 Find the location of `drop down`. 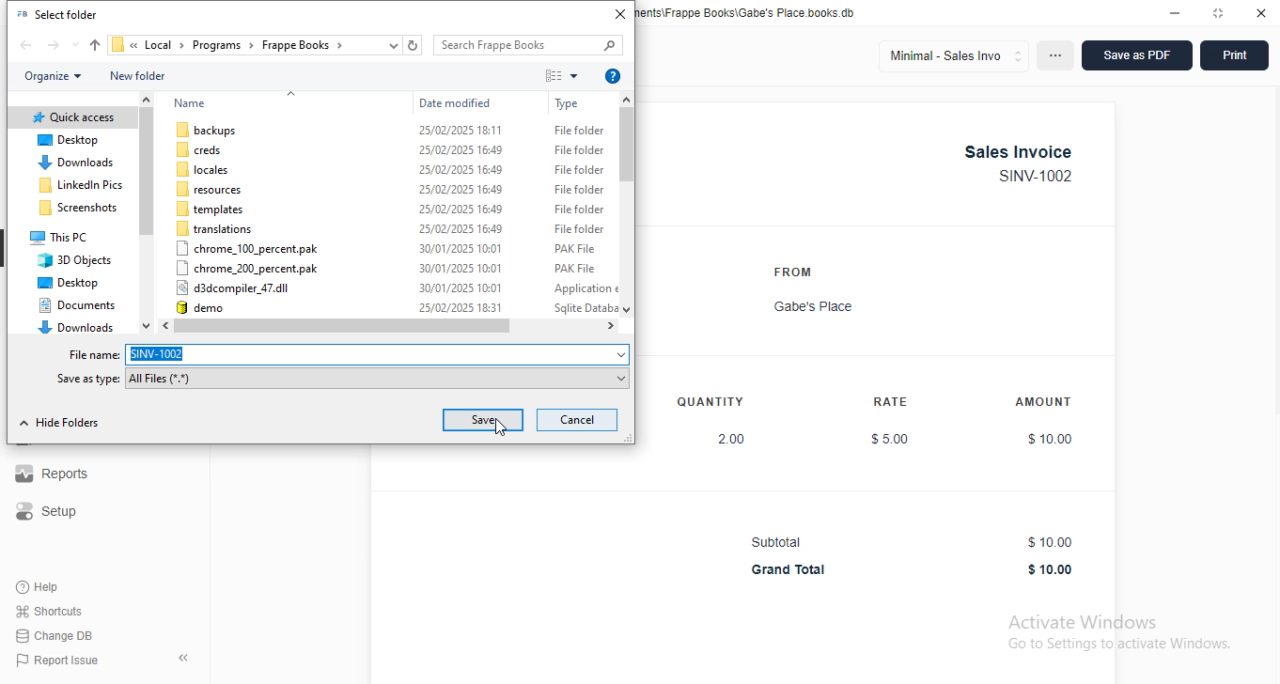

drop down is located at coordinates (339, 45).